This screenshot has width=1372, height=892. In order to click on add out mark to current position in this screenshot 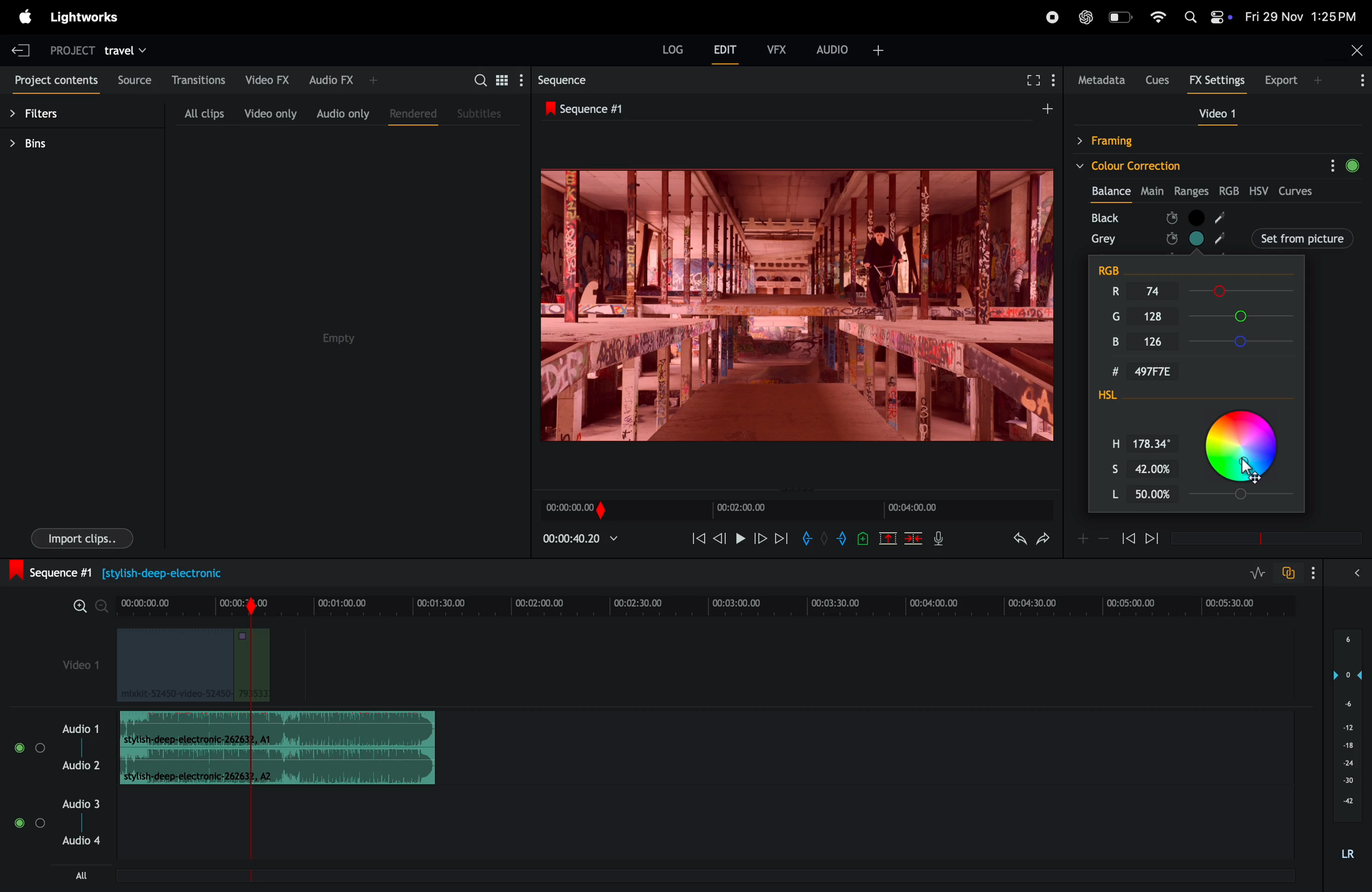, I will do `click(842, 540)`.